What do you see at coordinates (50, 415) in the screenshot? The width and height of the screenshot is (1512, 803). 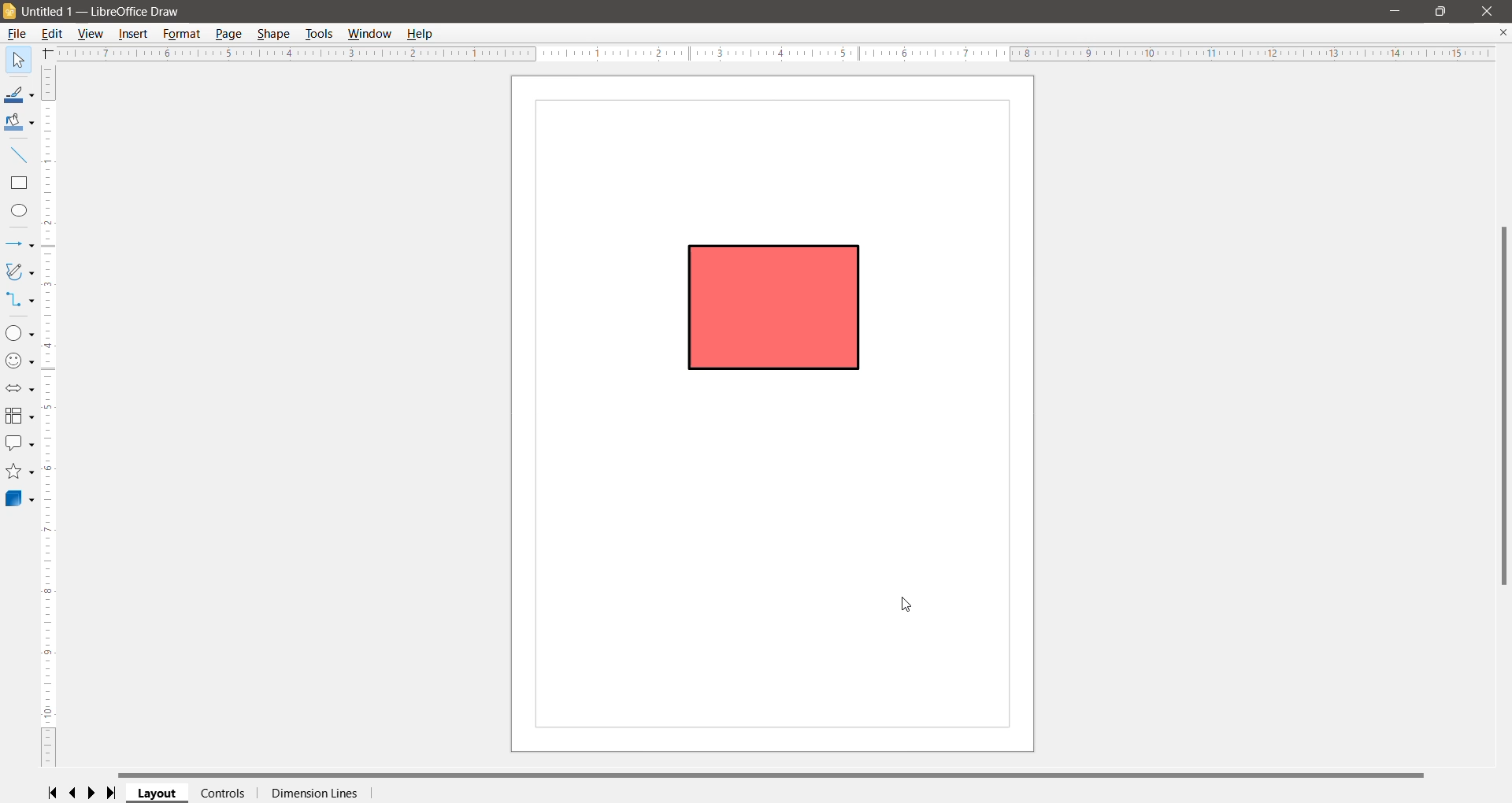 I see `Vertical Scroll Bar` at bounding box center [50, 415].